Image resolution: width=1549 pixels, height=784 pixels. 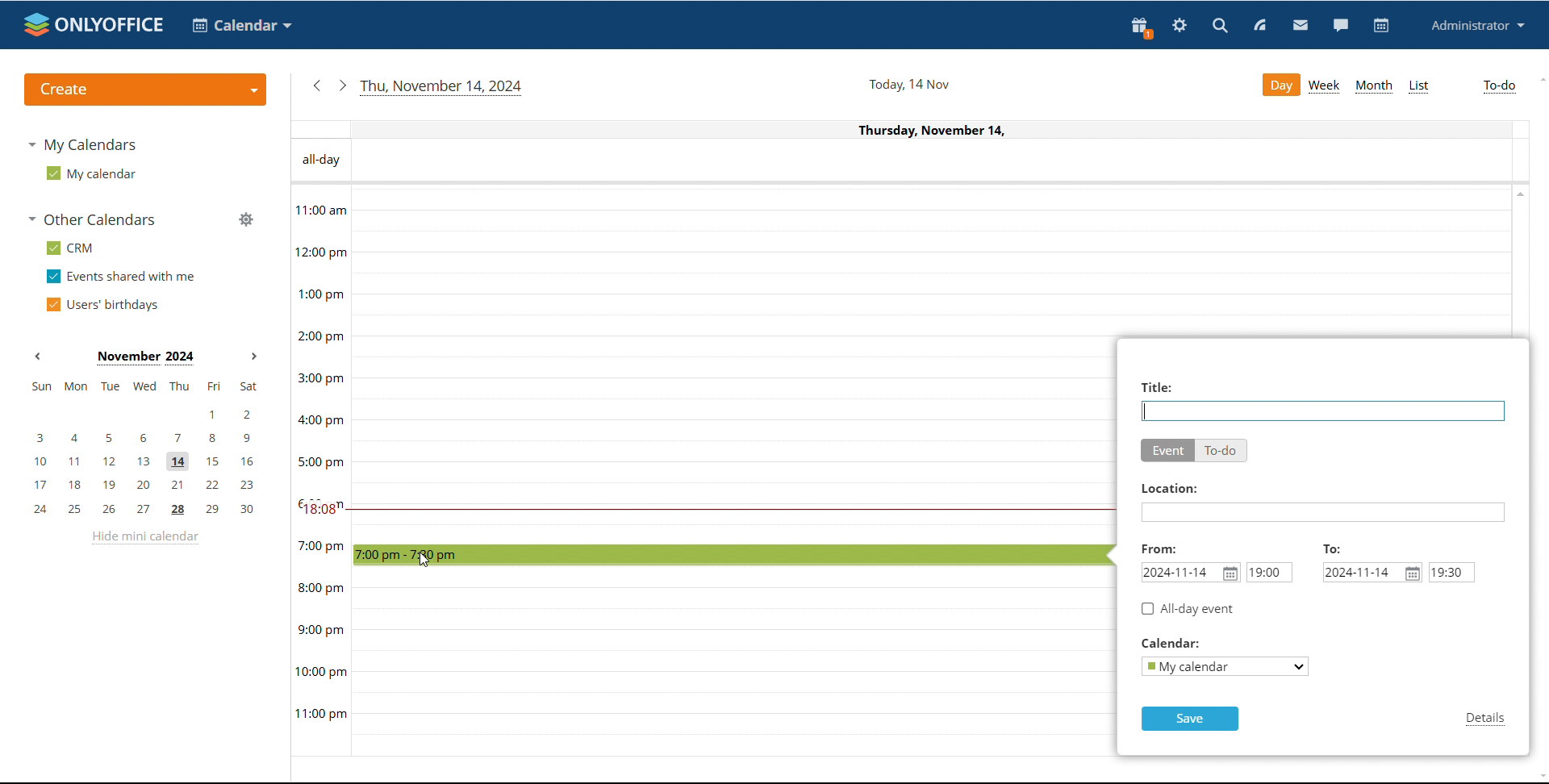 What do you see at coordinates (1518, 194) in the screenshot?
I see `scroll up` at bounding box center [1518, 194].